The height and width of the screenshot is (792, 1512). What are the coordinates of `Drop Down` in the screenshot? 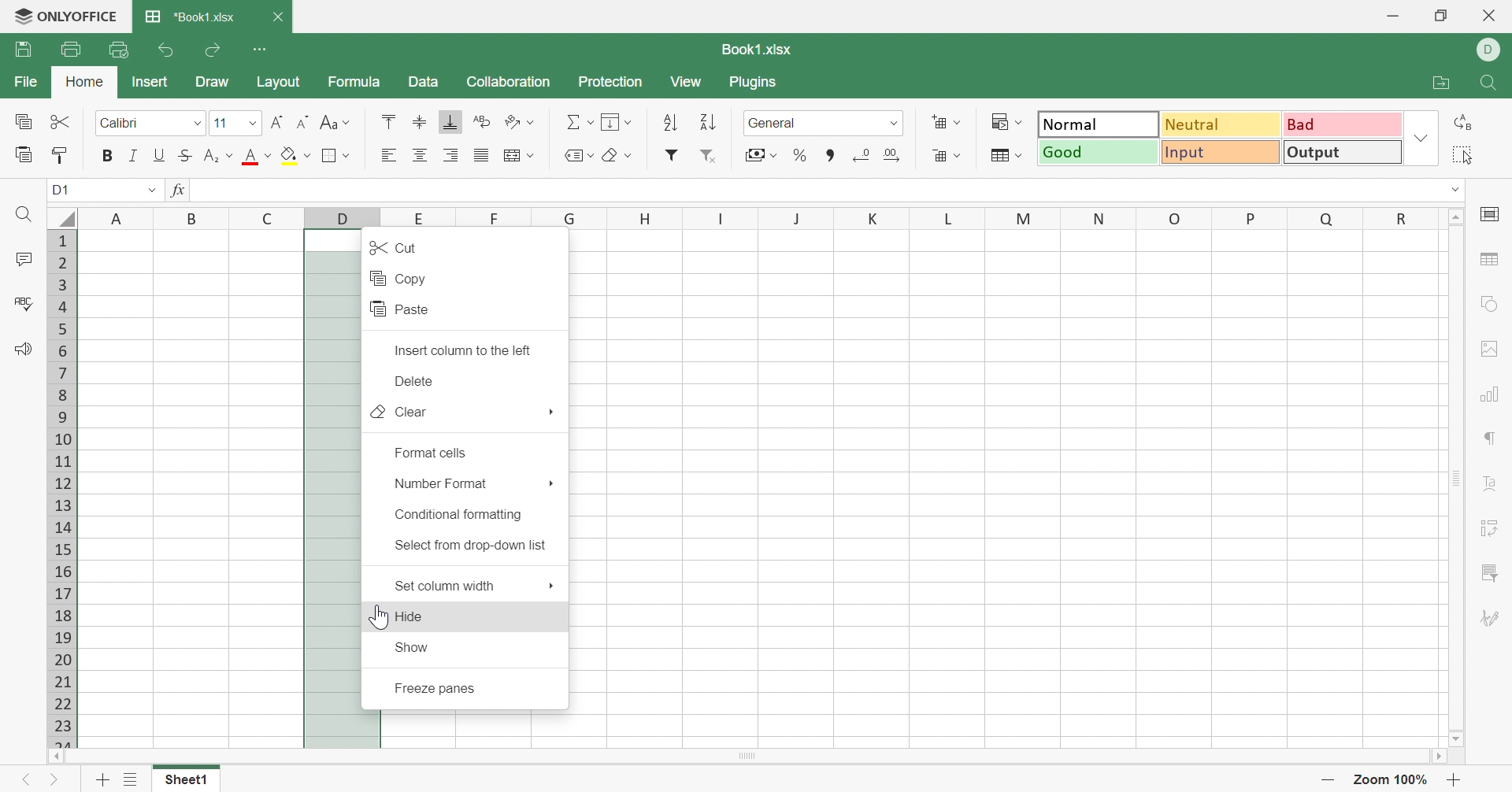 It's located at (197, 123).